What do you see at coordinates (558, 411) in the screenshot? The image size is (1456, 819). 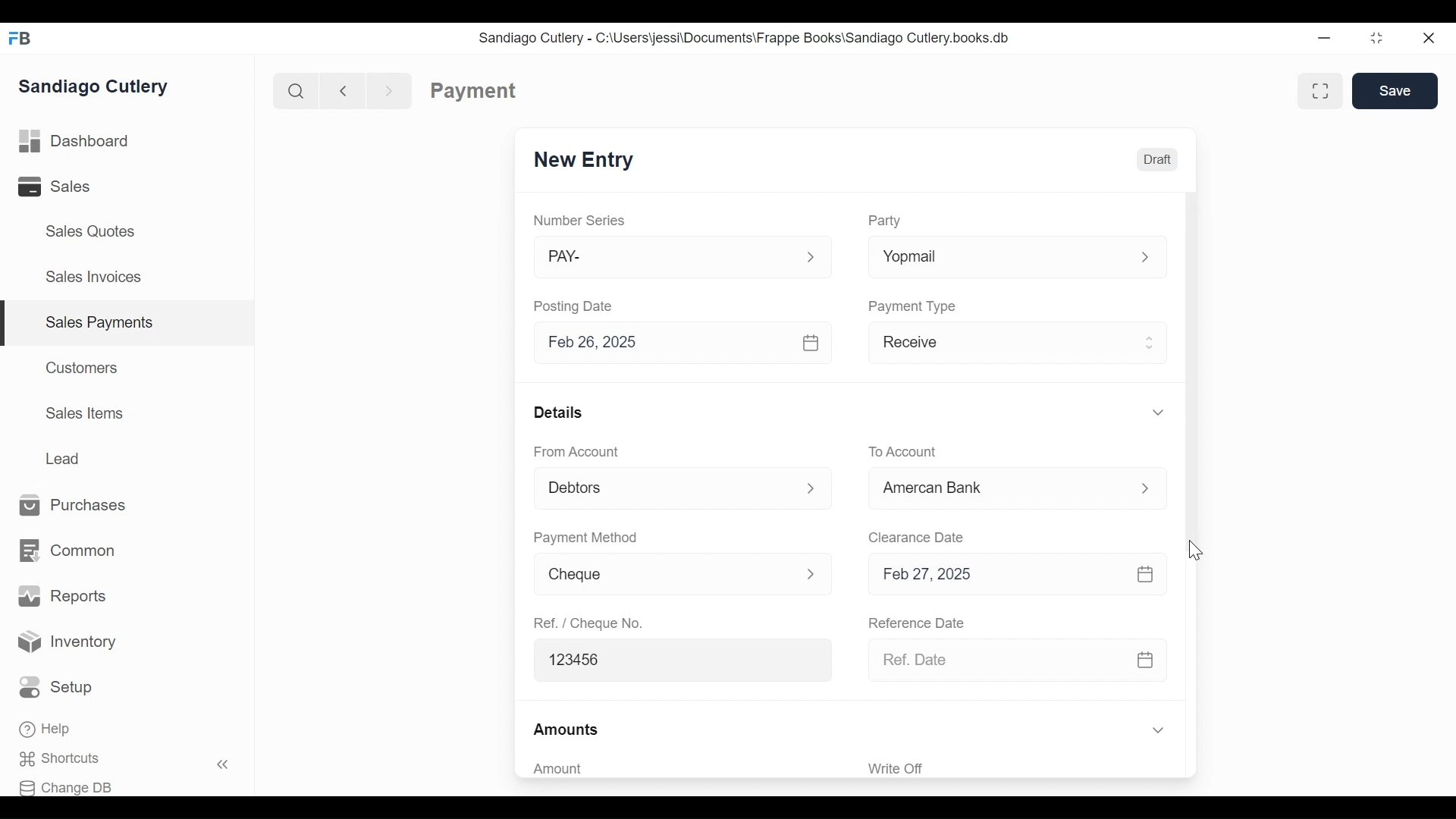 I see `Details` at bounding box center [558, 411].